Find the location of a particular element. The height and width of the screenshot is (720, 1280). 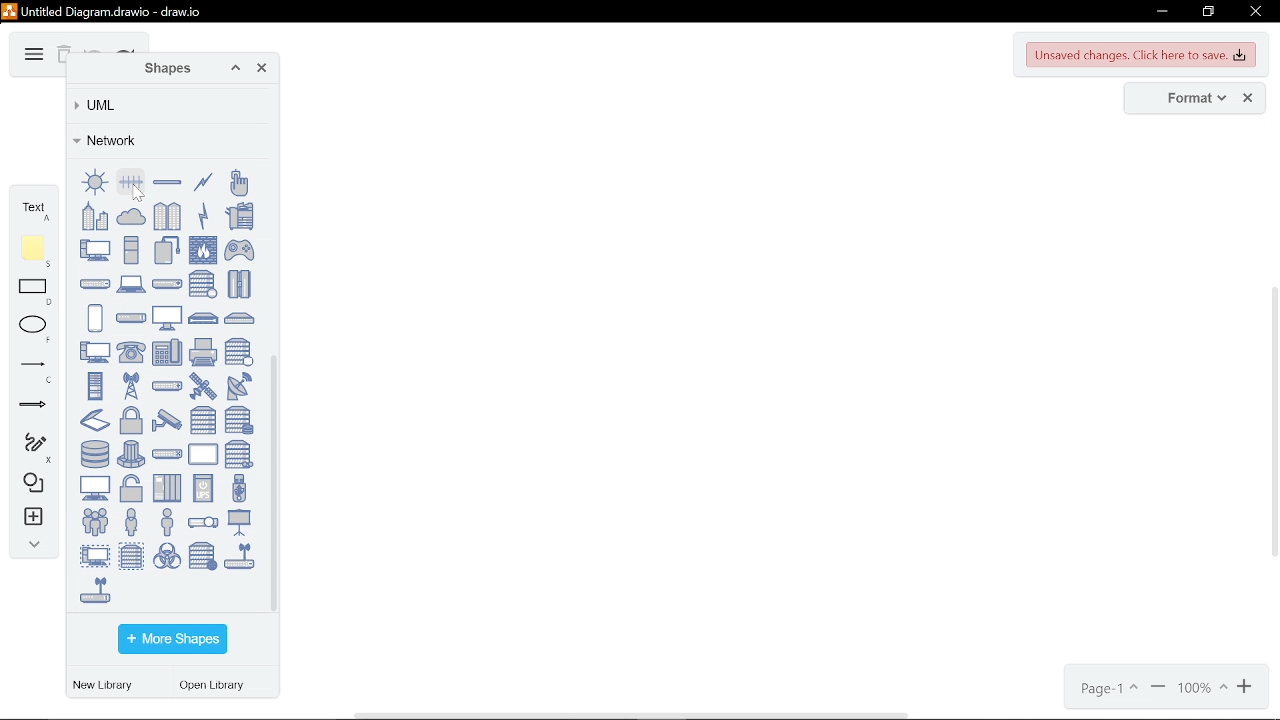

UPS enterprise is located at coordinates (167, 488).